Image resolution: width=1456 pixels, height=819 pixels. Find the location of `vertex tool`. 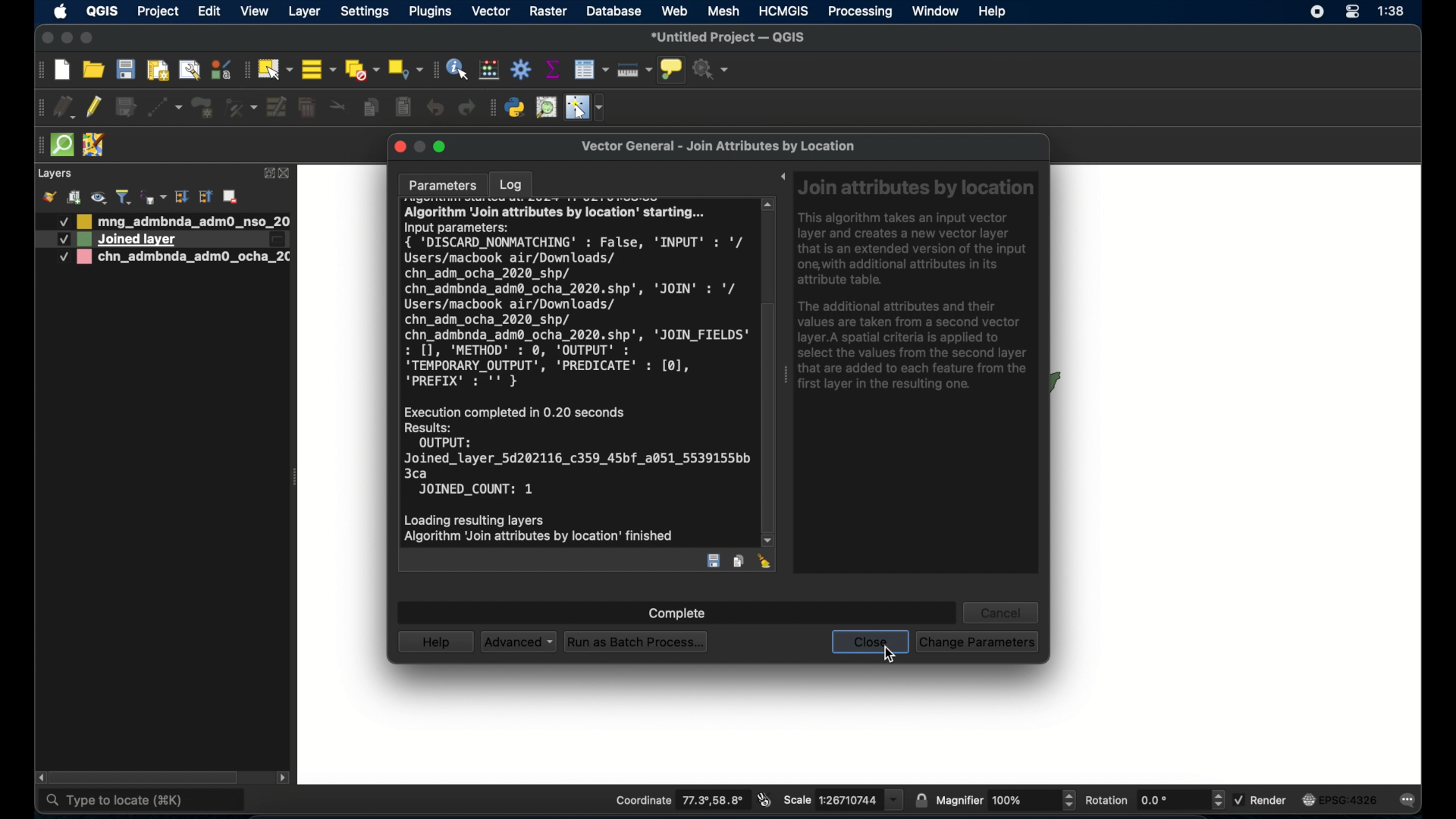

vertex tool is located at coordinates (240, 108).